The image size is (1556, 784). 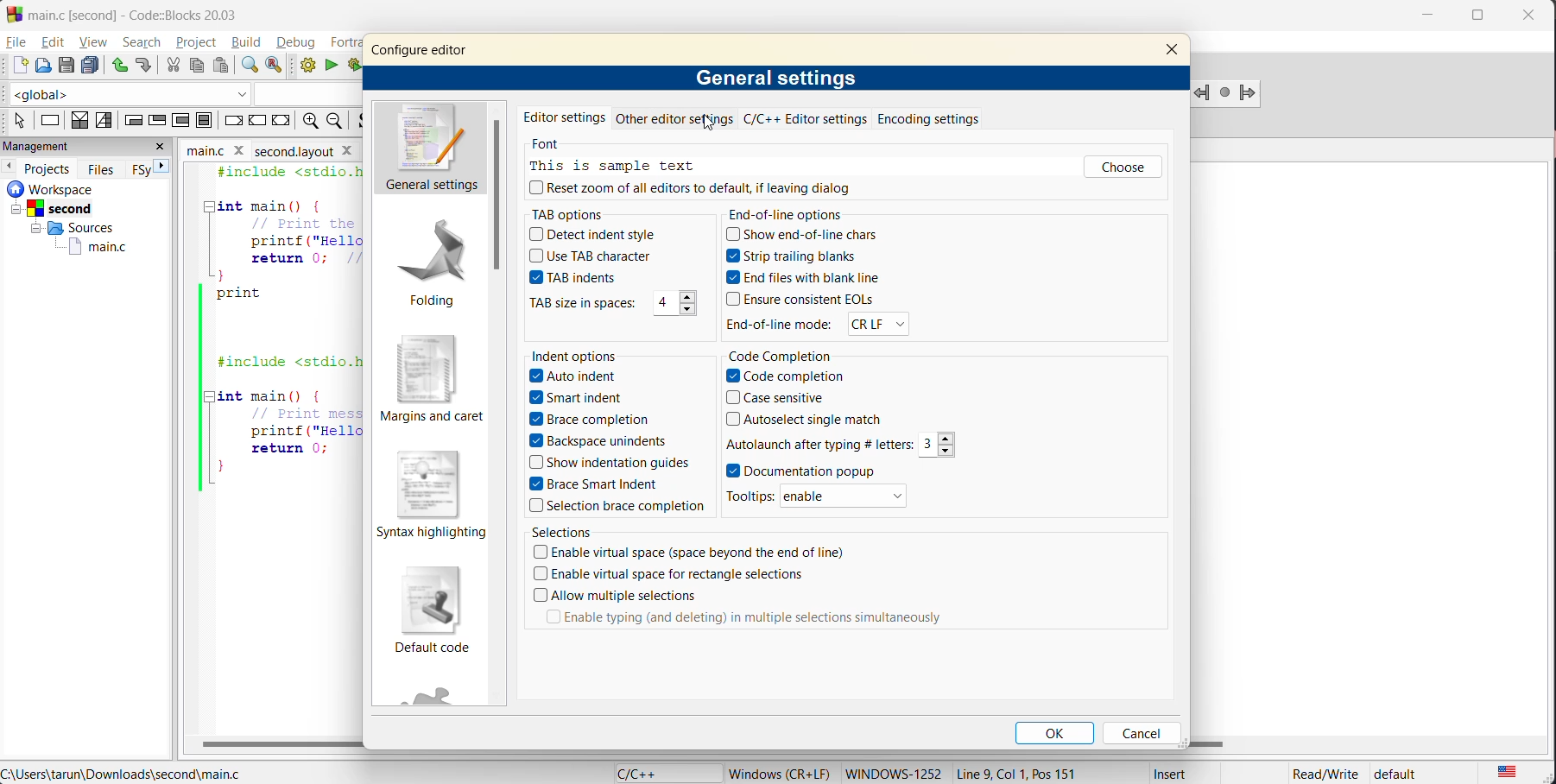 I want to click on ok, so click(x=1056, y=732).